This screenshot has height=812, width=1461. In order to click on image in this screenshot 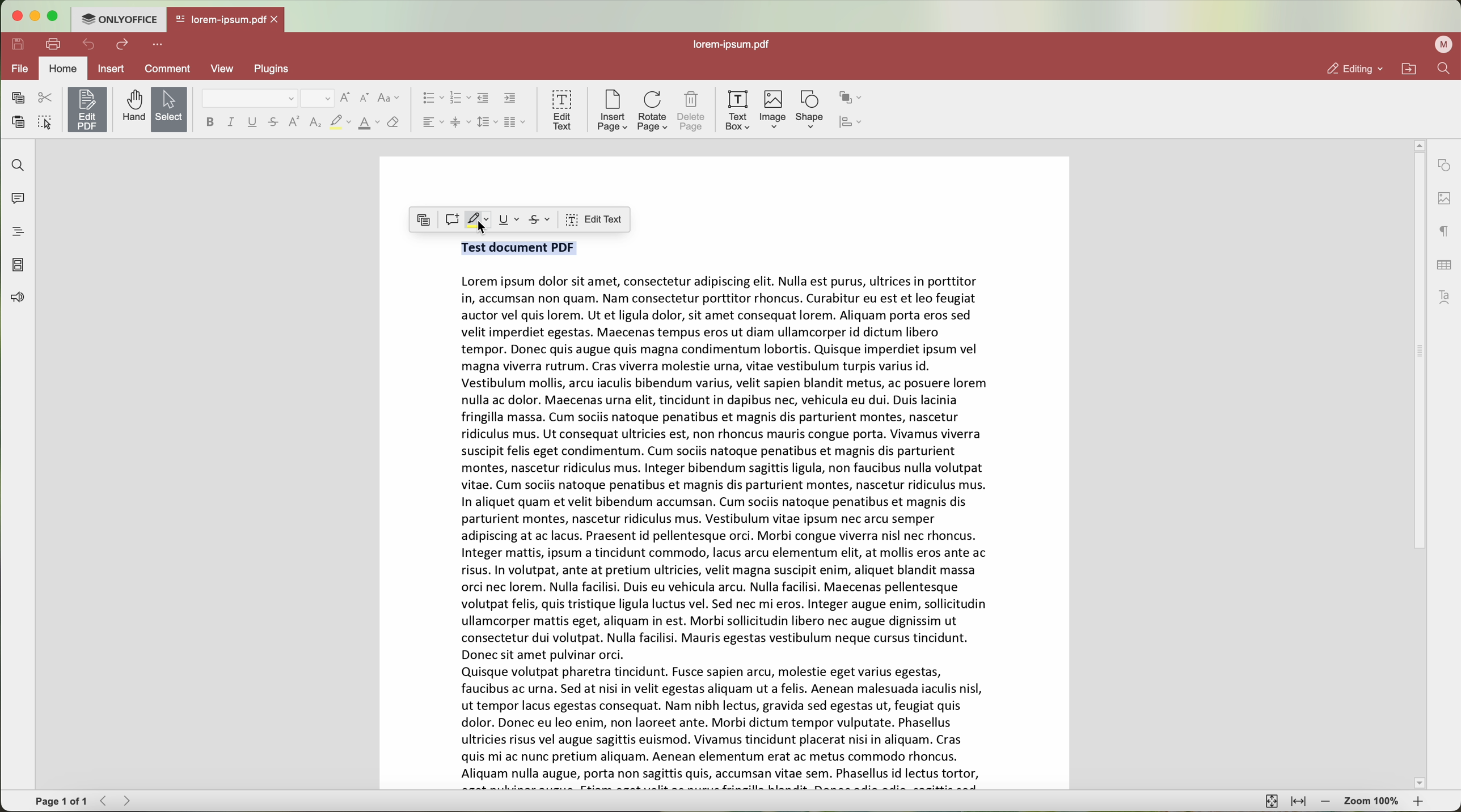, I will do `click(771, 112)`.